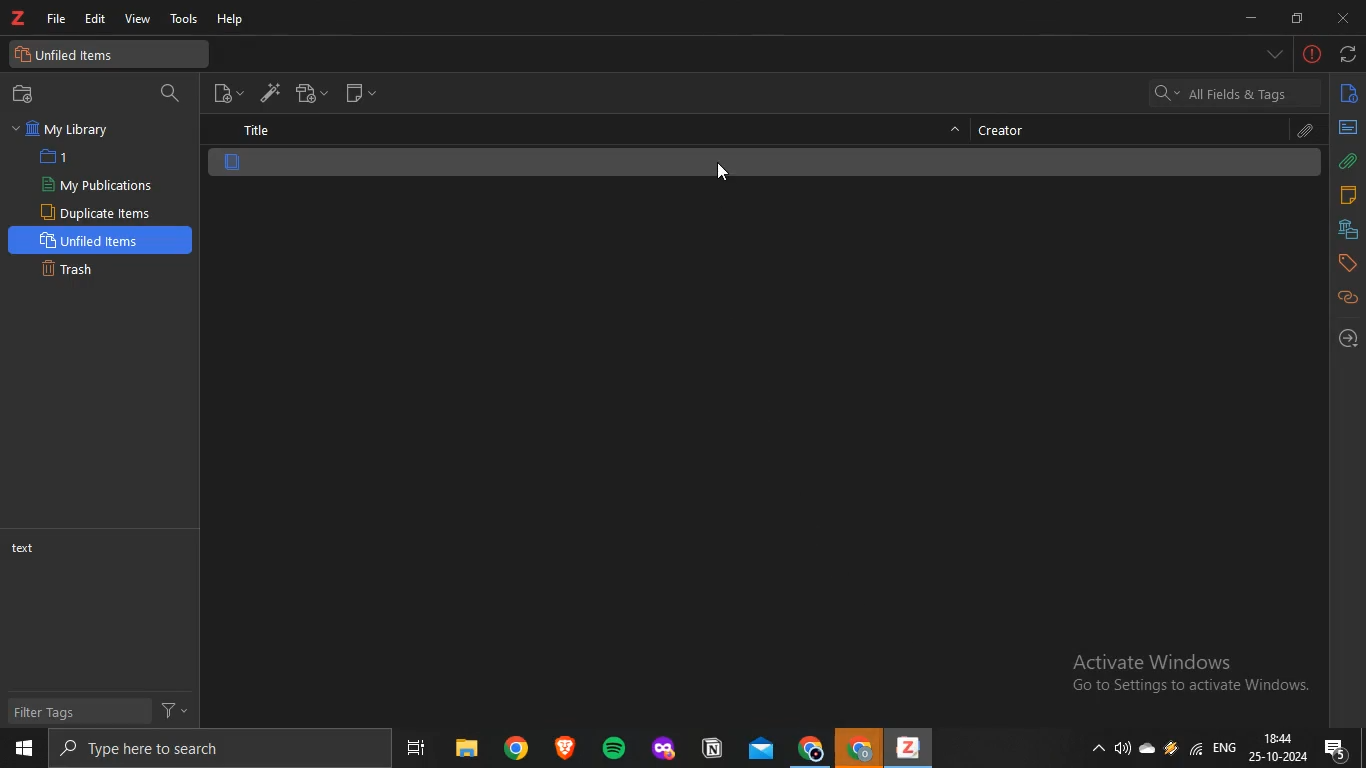 This screenshot has height=768, width=1366. I want to click on task view, so click(414, 748).